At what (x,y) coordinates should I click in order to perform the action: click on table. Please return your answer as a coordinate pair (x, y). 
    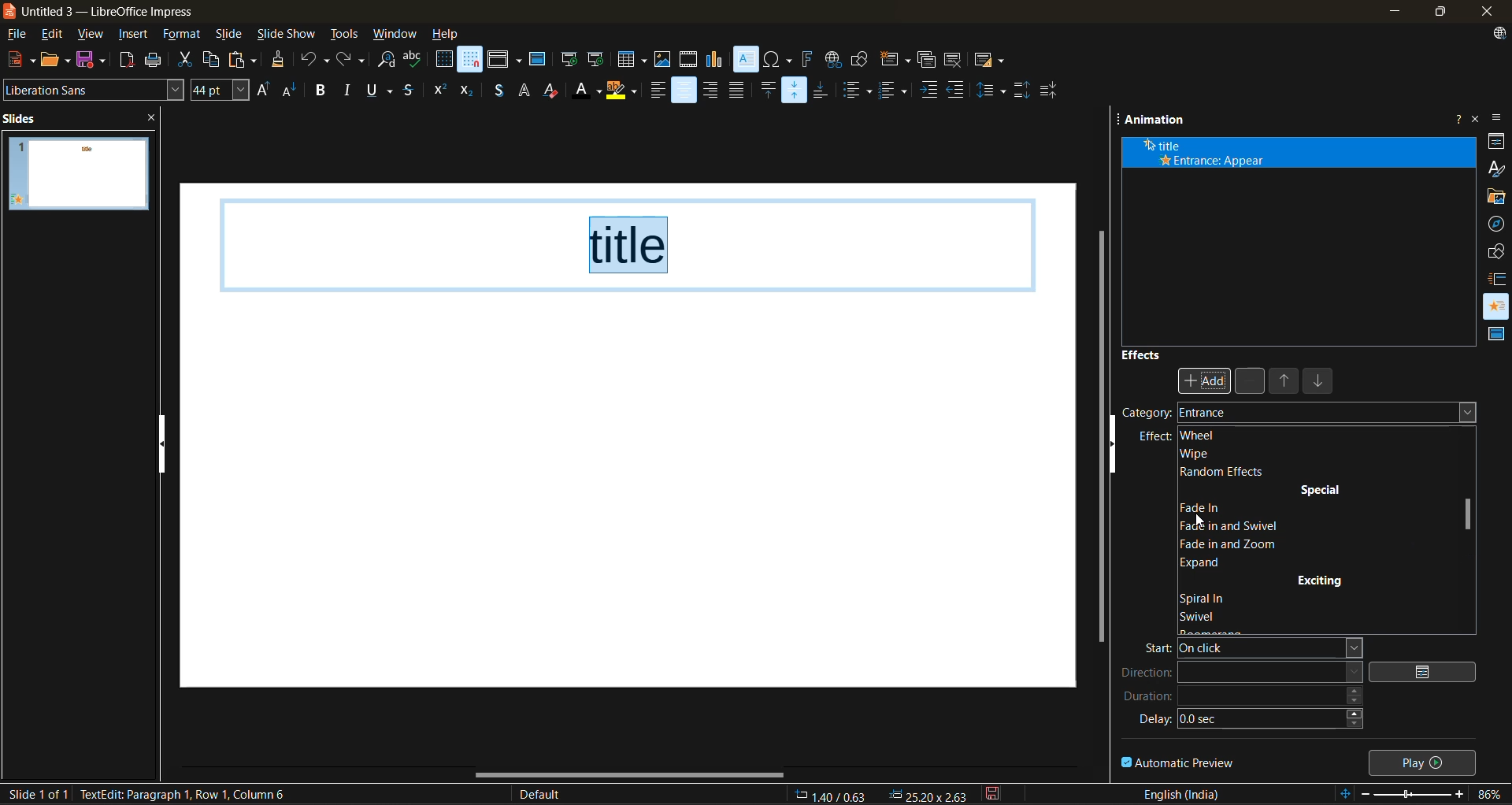
    Looking at the image, I should click on (632, 59).